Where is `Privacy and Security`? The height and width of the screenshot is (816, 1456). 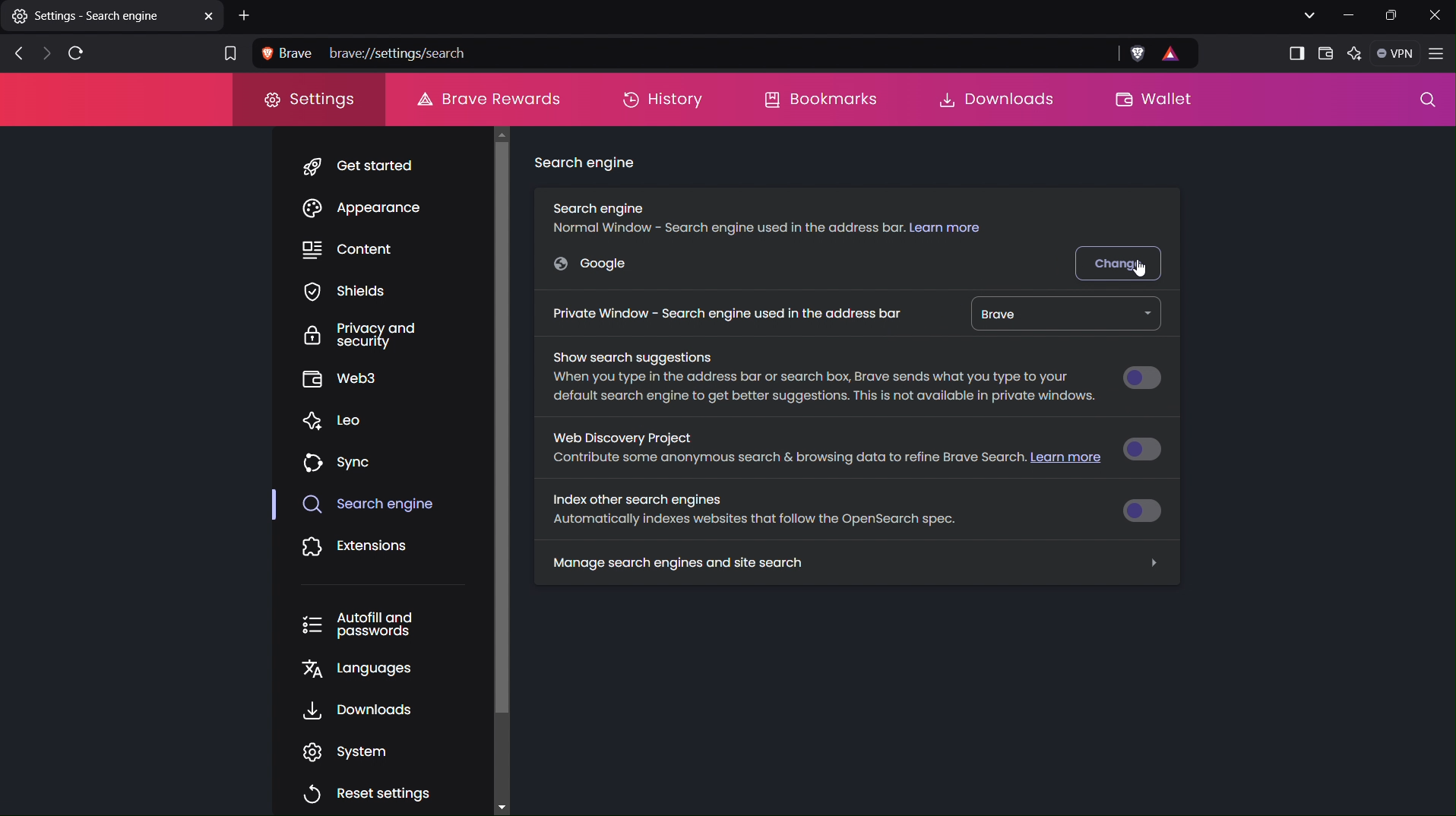
Privacy and Security is located at coordinates (347, 337).